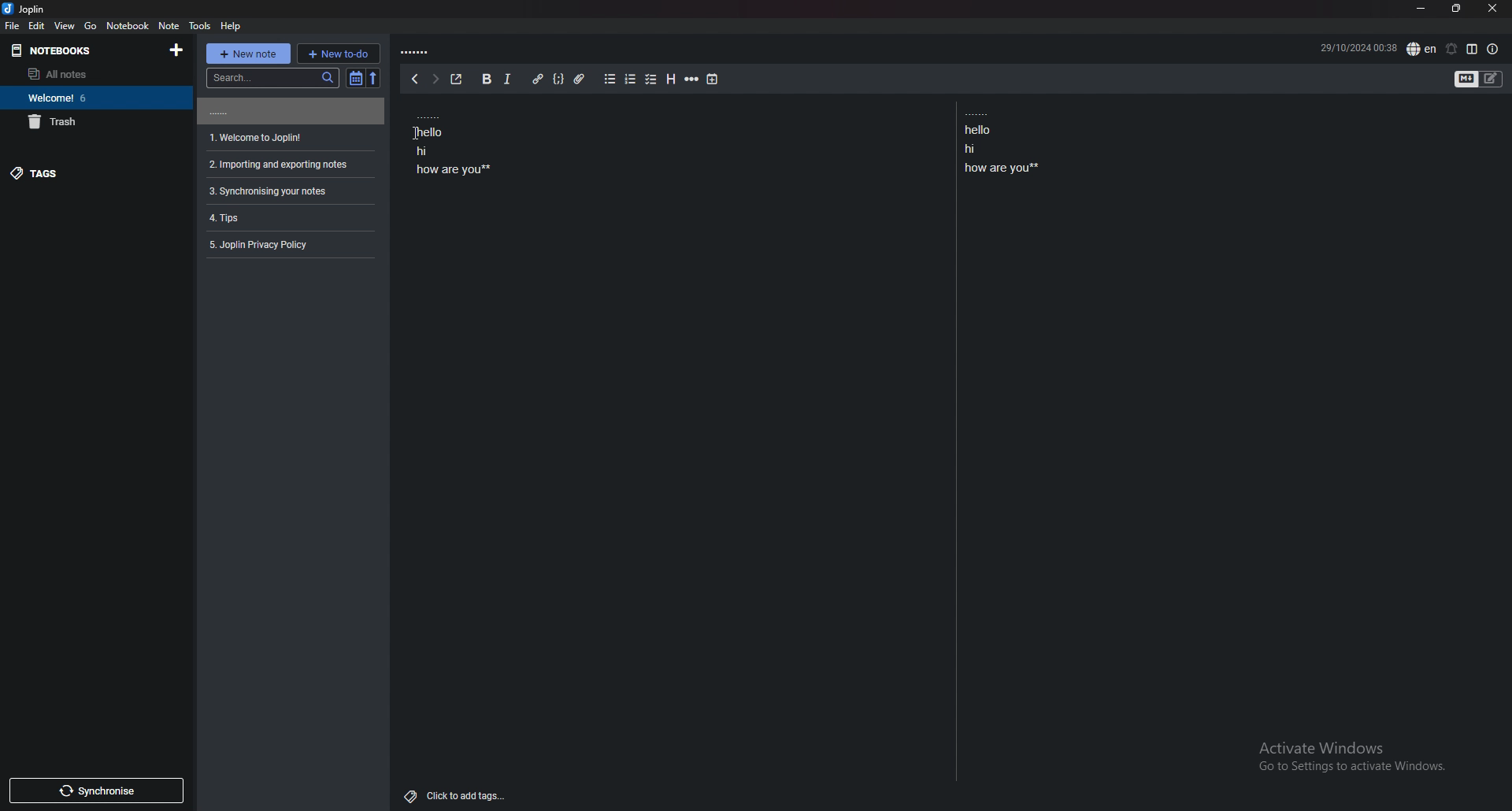 This screenshot has width=1512, height=811. Describe the element at coordinates (355, 79) in the screenshot. I see `toggle sort order field` at that location.